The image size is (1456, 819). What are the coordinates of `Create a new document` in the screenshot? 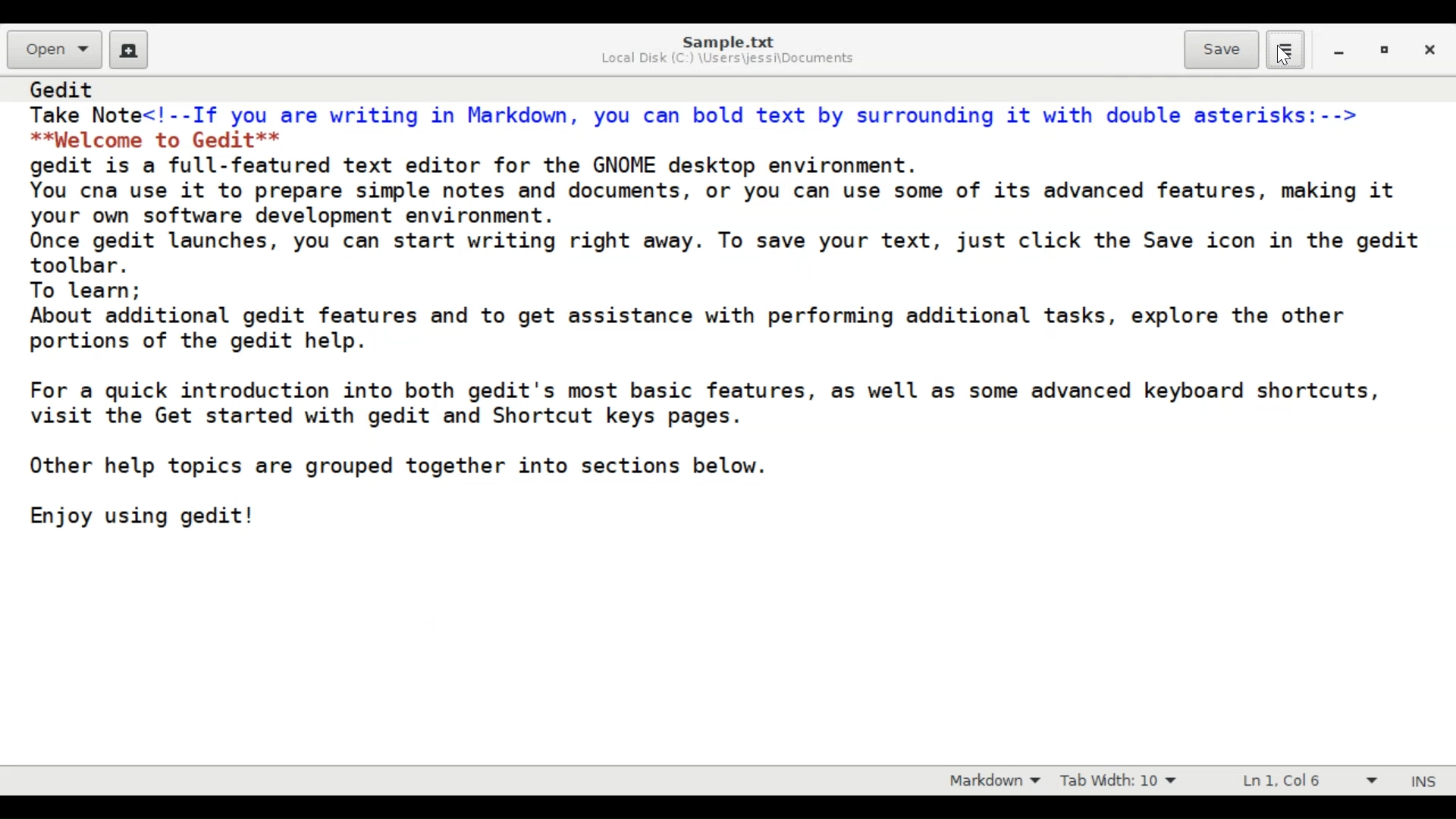 It's located at (130, 50).